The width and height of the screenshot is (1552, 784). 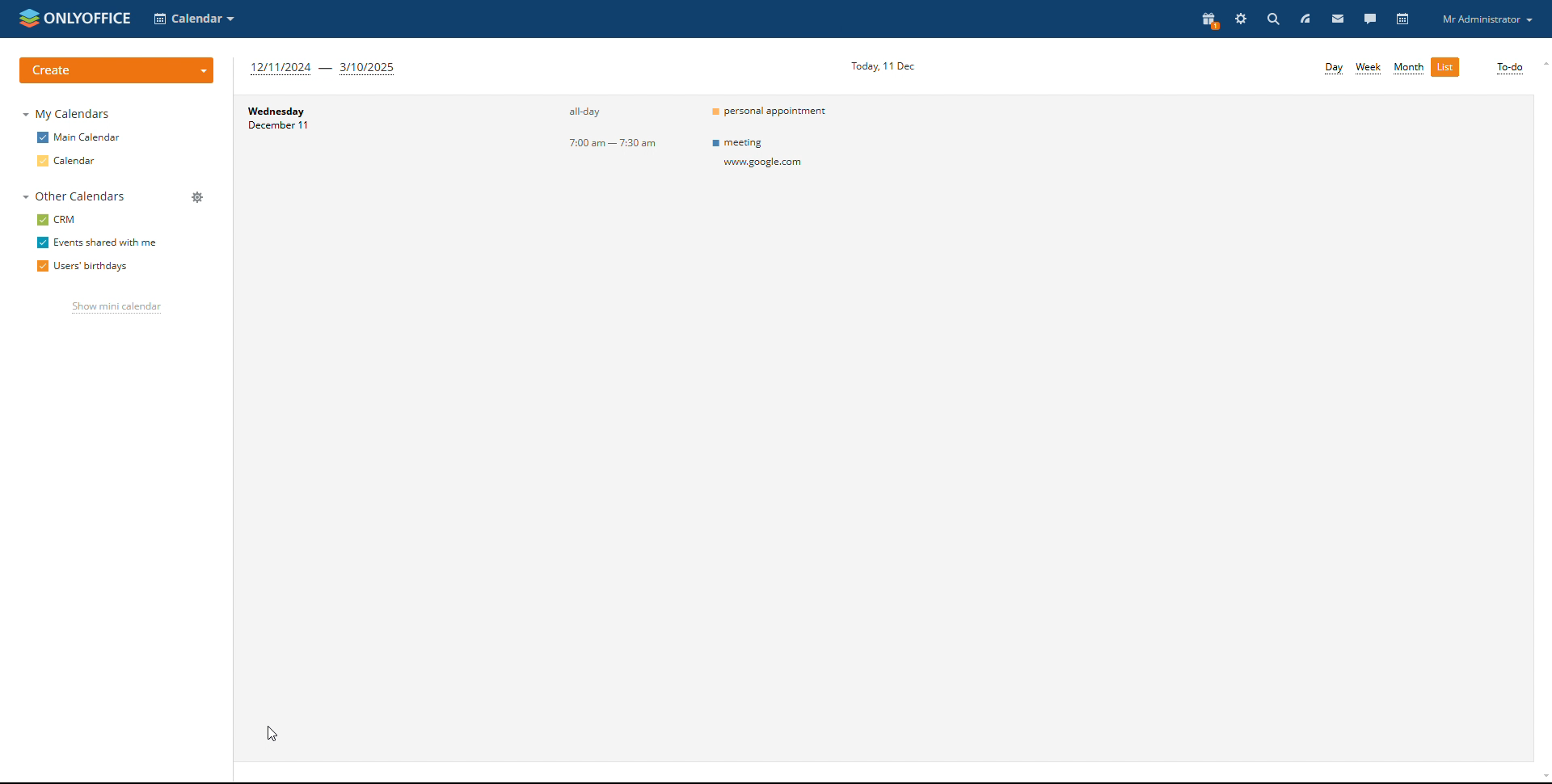 What do you see at coordinates (1445, 67) in the screenshot?
I see `list view` at bounding box center [1445, 67].